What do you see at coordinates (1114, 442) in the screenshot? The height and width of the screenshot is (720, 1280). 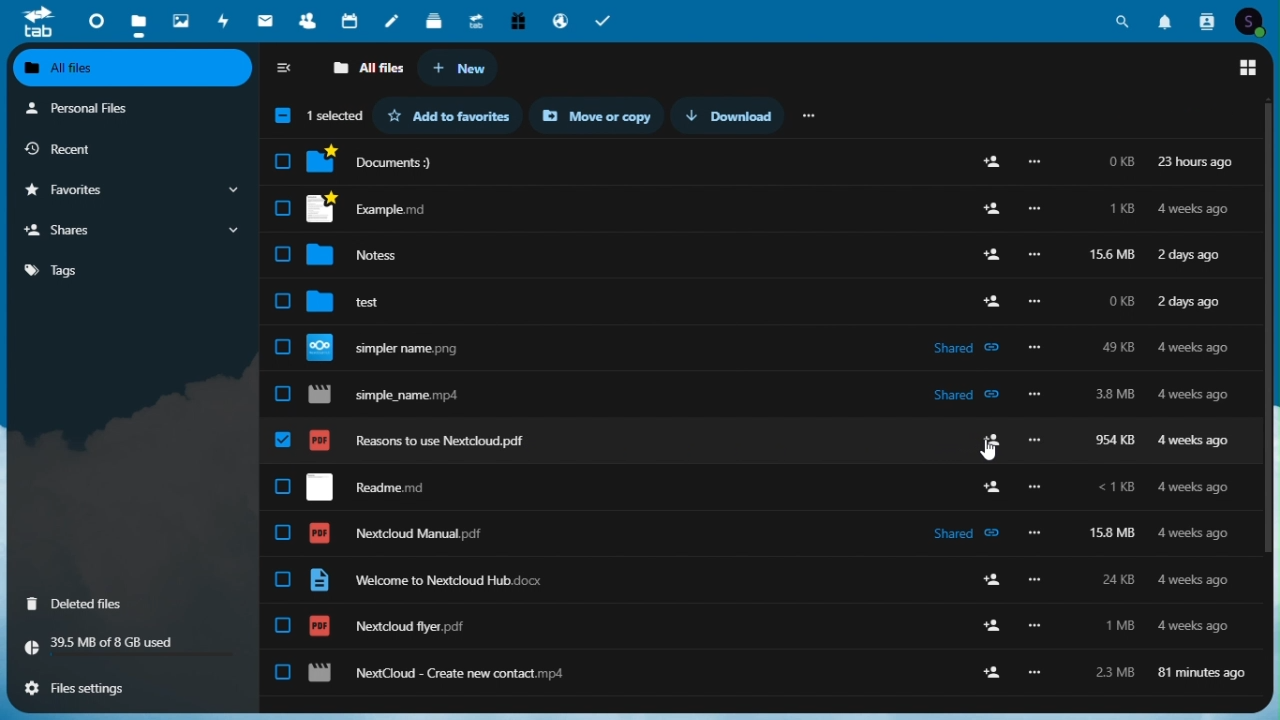 I see `954 kb` at bounding box center [1114, 442].